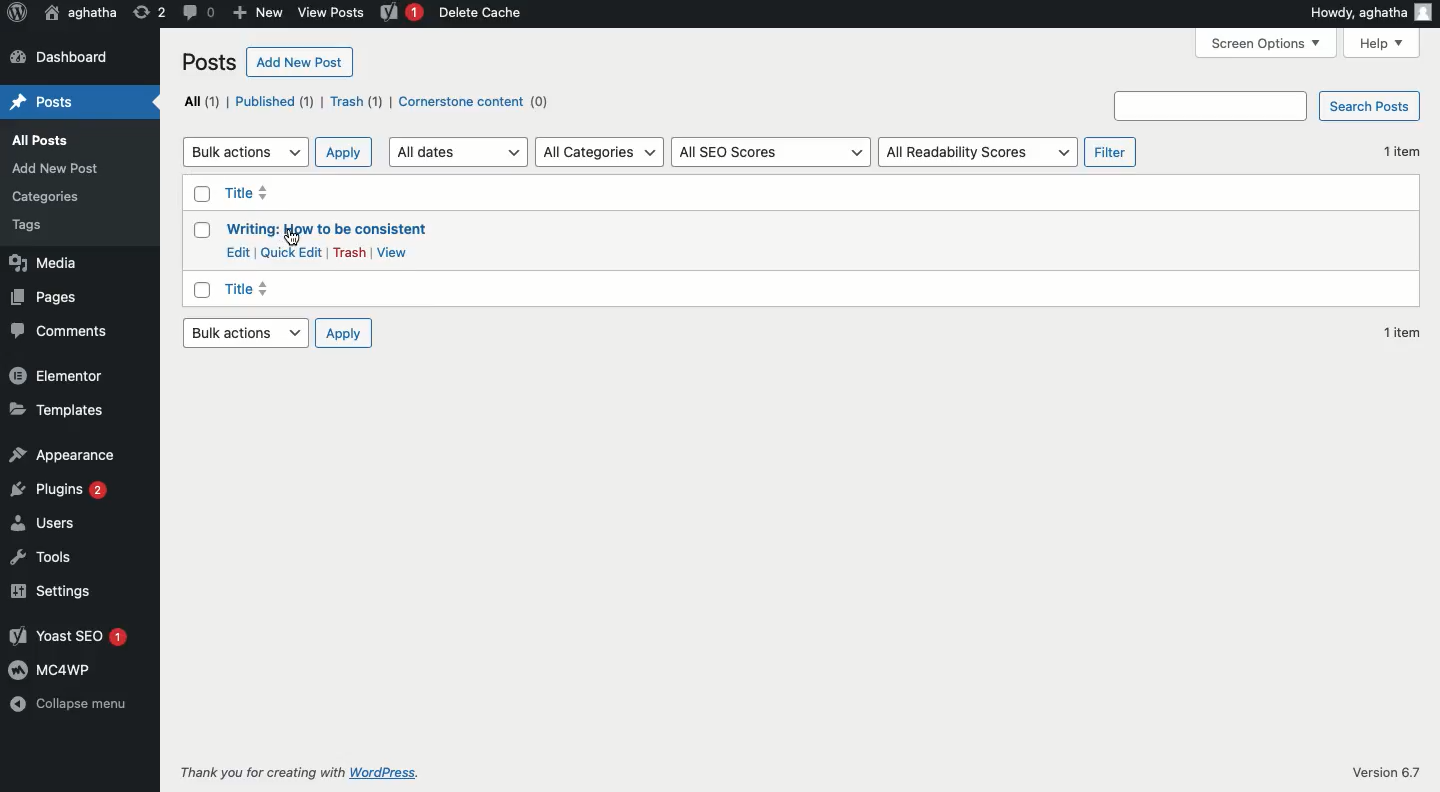  Describe the element at coordinates (274, 102) in the screenshot. I see `Published` at that location.